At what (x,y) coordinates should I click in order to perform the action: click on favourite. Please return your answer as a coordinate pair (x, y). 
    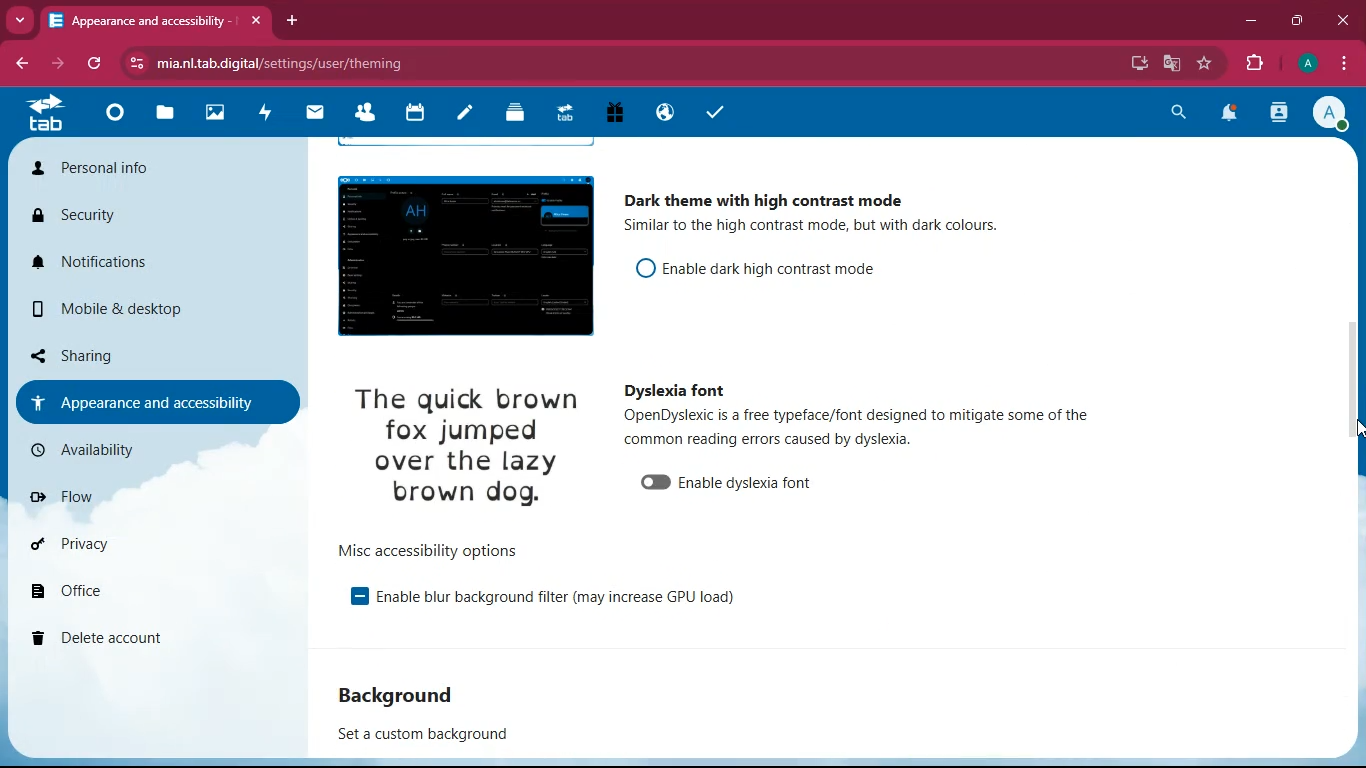
    Looking at the image, I should click on (1205, 63).